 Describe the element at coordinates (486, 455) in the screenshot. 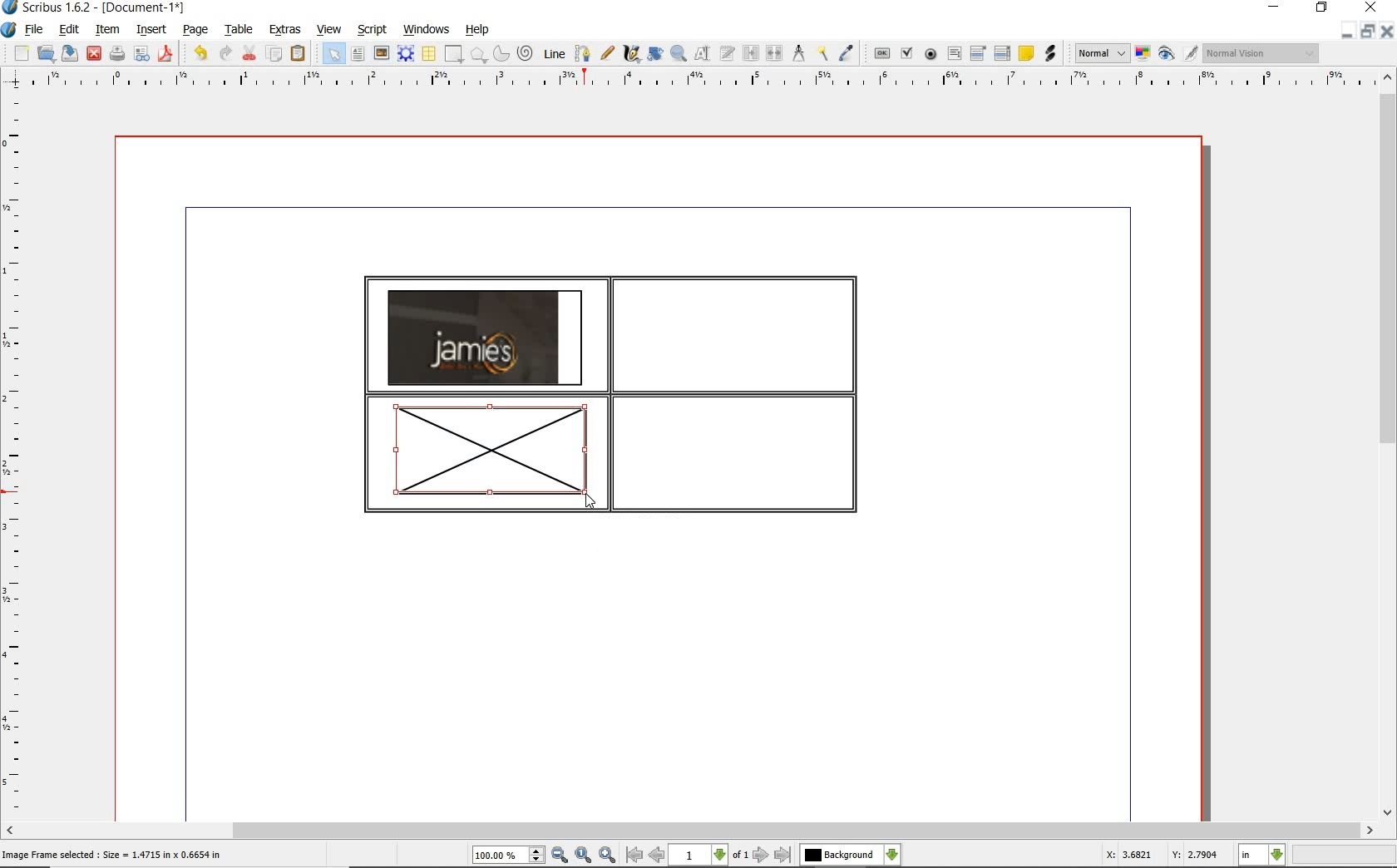

I see `drawn image frame` at that location.